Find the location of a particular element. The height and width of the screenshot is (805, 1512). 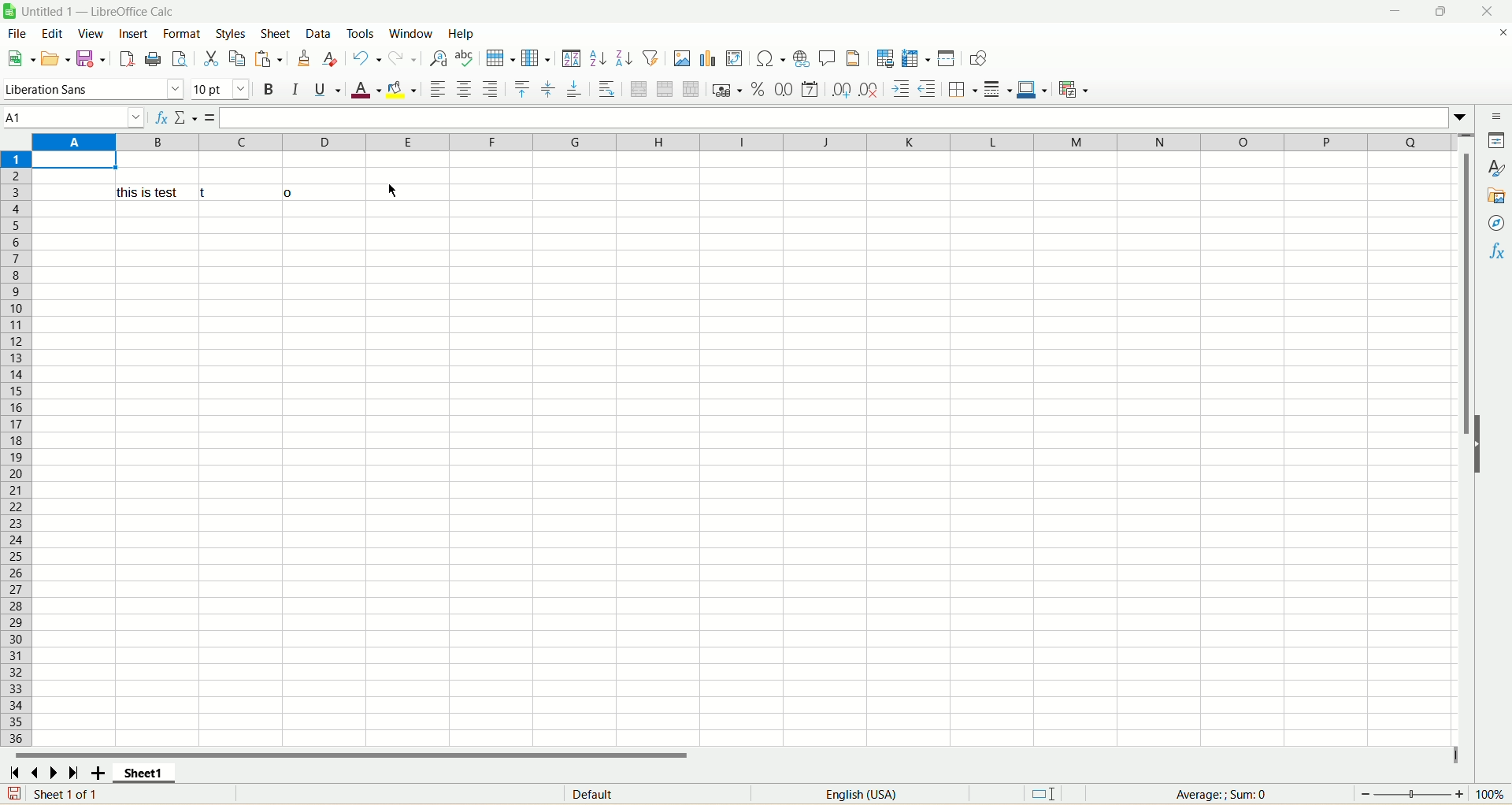

save is located at coordinates (10, 794).